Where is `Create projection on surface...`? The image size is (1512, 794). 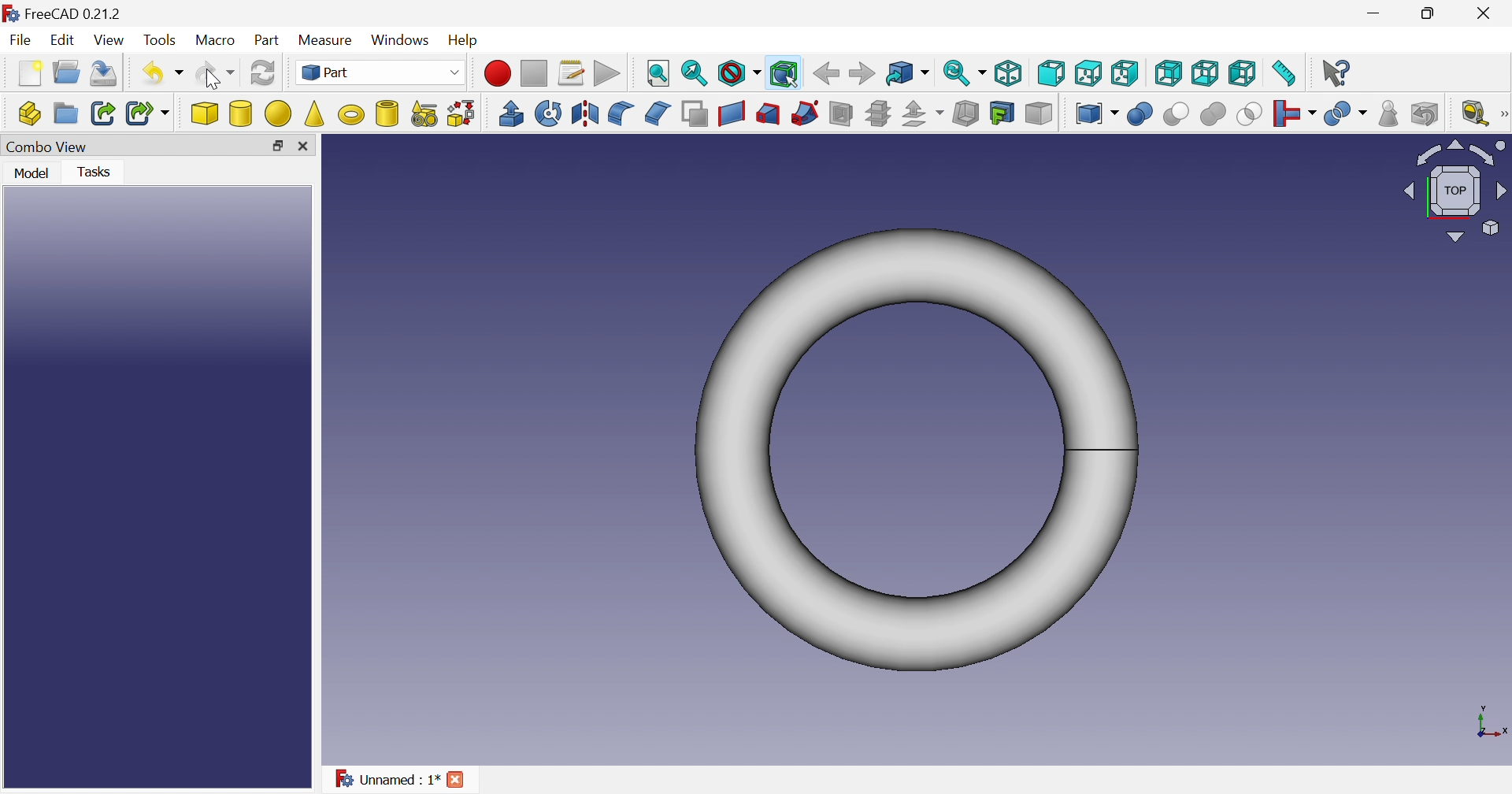 Create projection on surface... is located at coordinates (1002, 113).